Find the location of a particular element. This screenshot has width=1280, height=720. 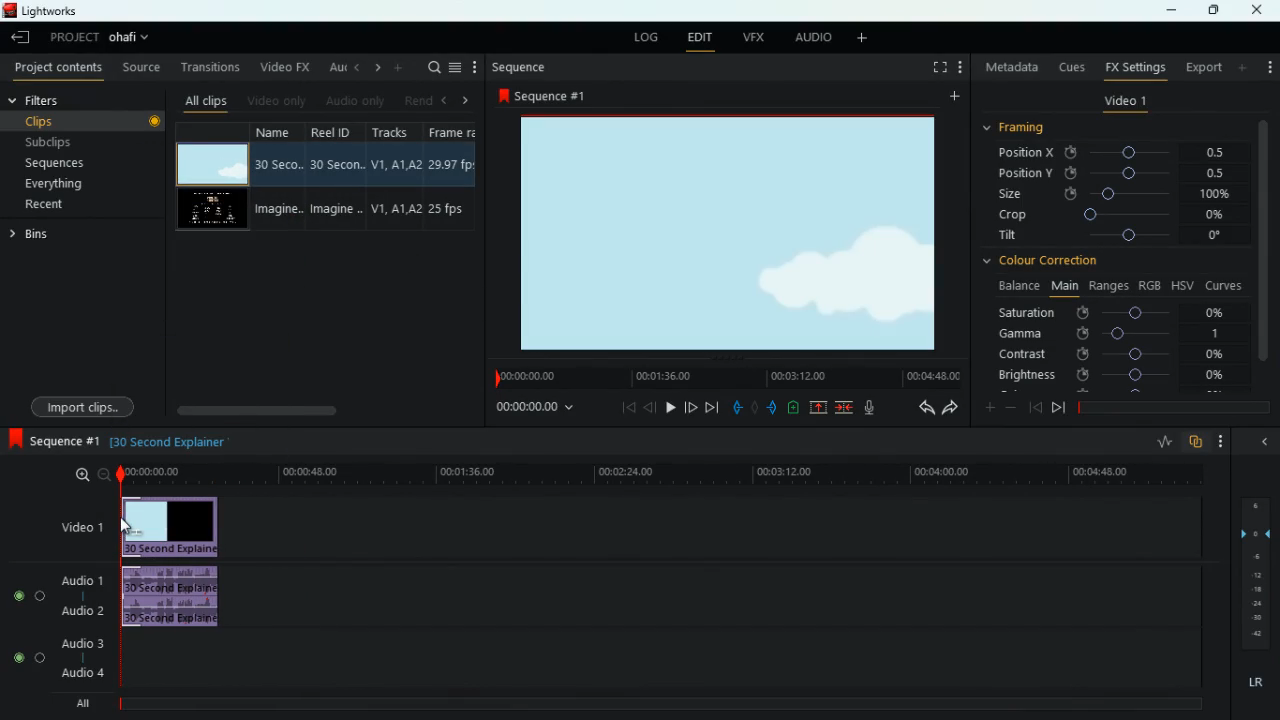

cues is located at coordinates (1068, 68).